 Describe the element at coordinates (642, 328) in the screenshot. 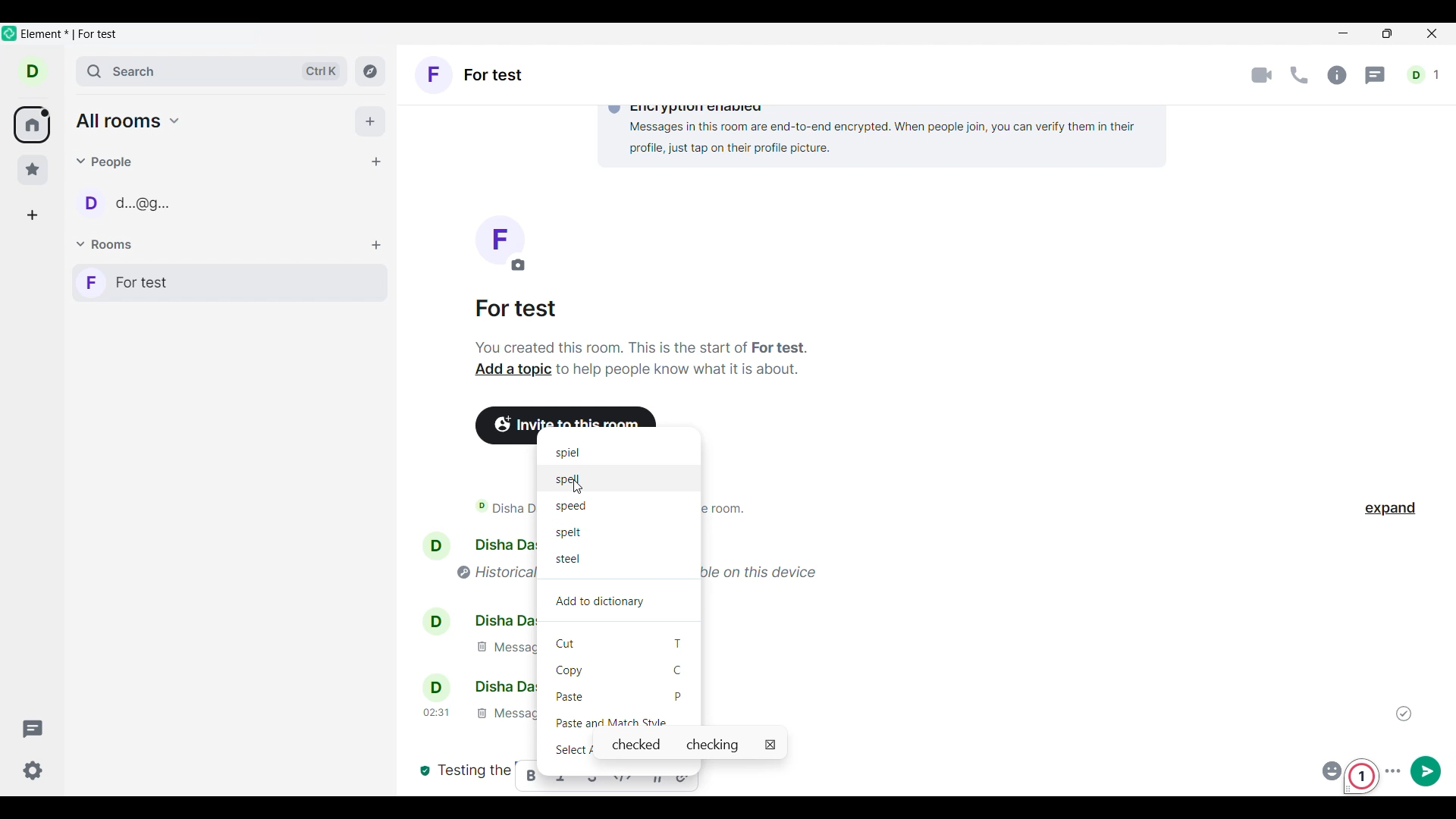

I see `For test   You created this room. This is the start of a room of for test` at that location.